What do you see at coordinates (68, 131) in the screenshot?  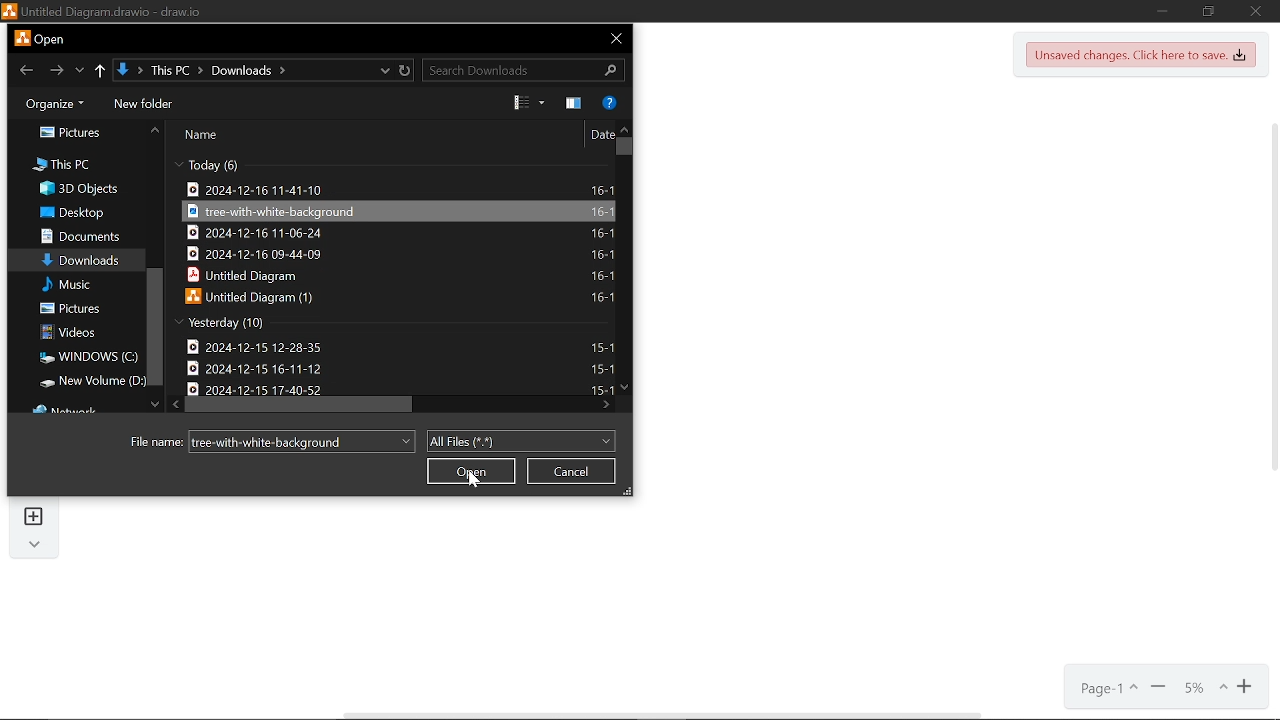 I see `pictures` at bounding box center [68, 131].